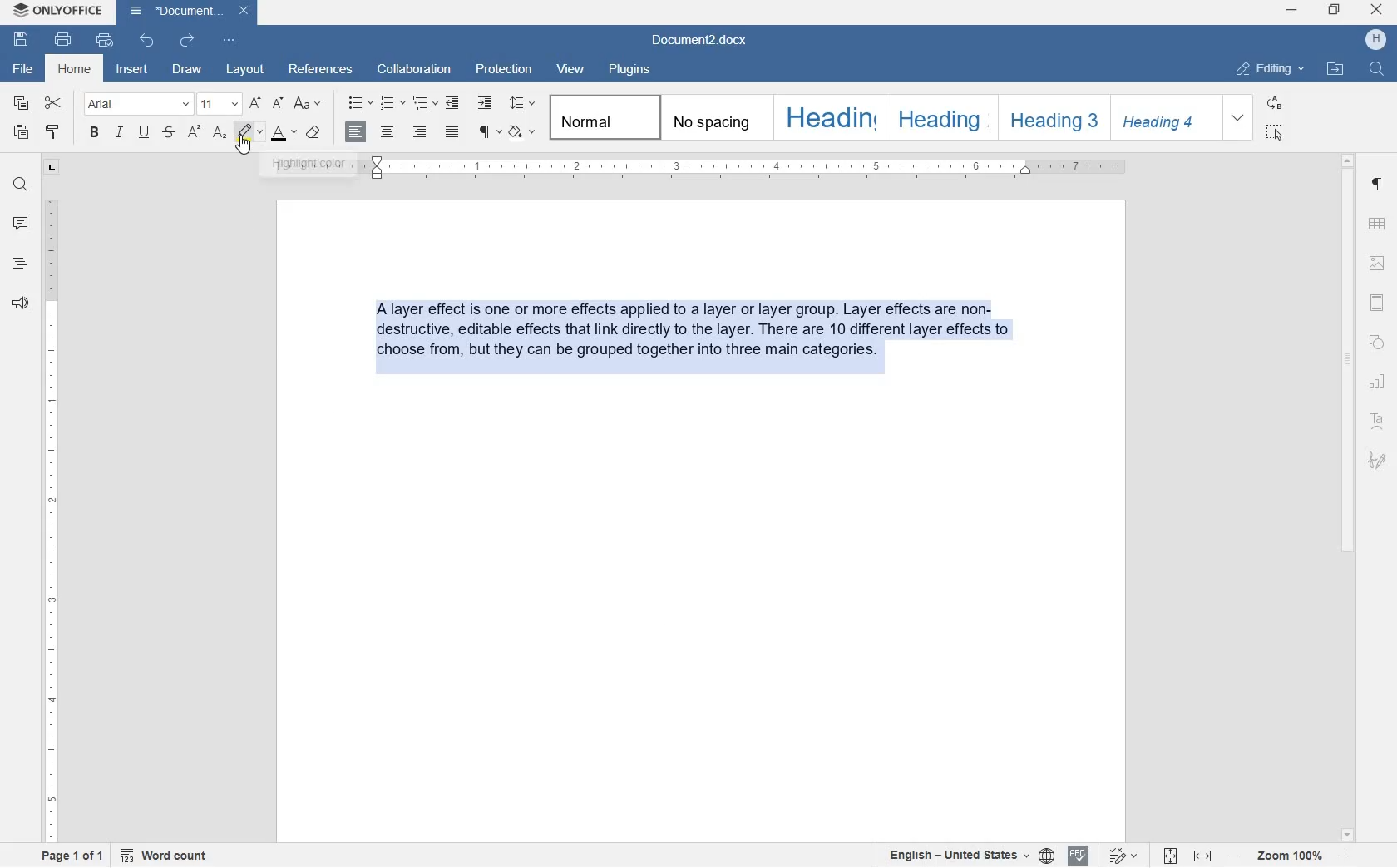  I want to click on HEADING 3, so click(1050, 118).